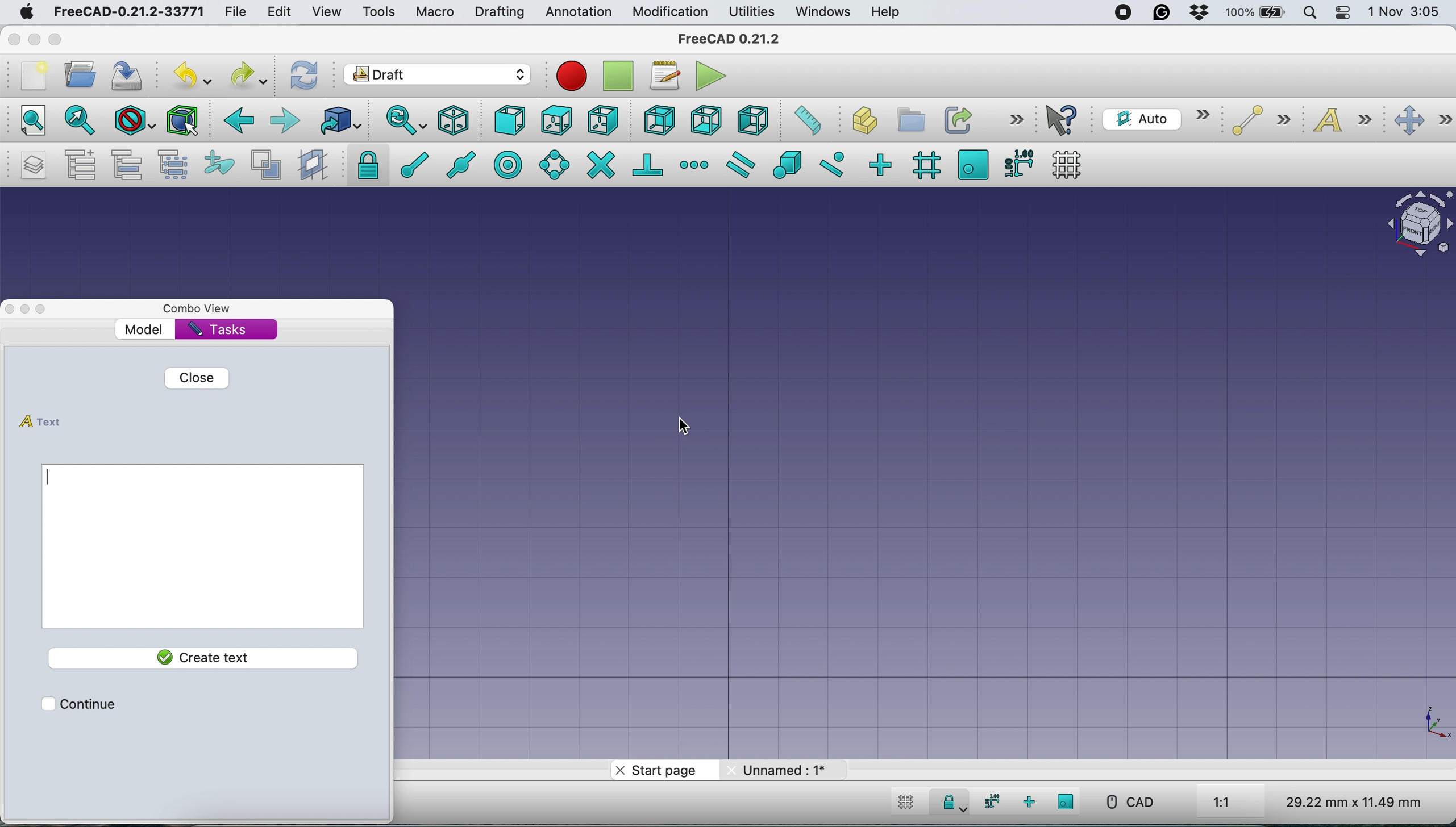  Describe the element at coordinates (56, 40) in the screenshot. I see `maximise` at that location.